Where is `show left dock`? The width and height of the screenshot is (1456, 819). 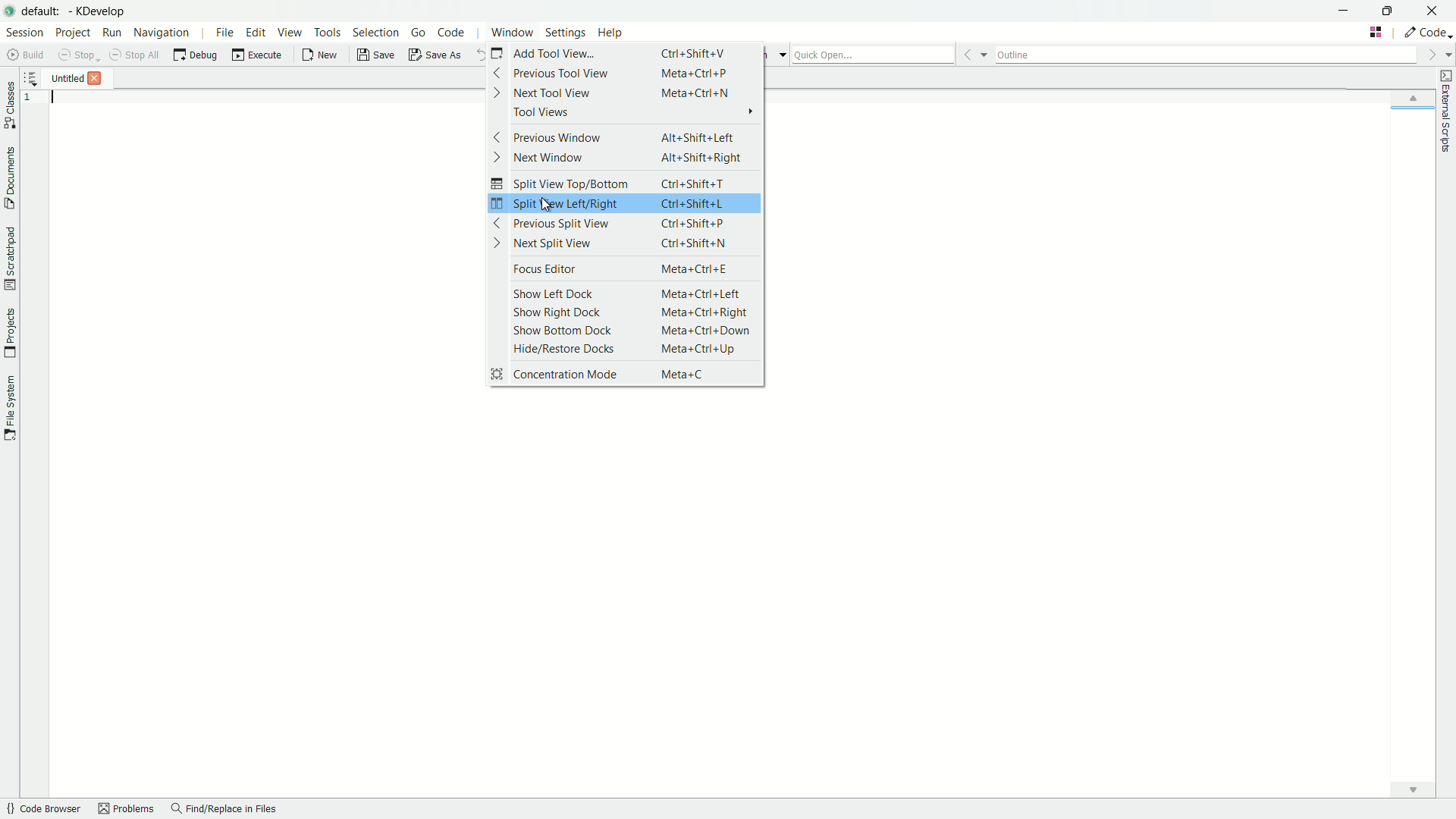 show left dock is located at coordinates (574, 293).